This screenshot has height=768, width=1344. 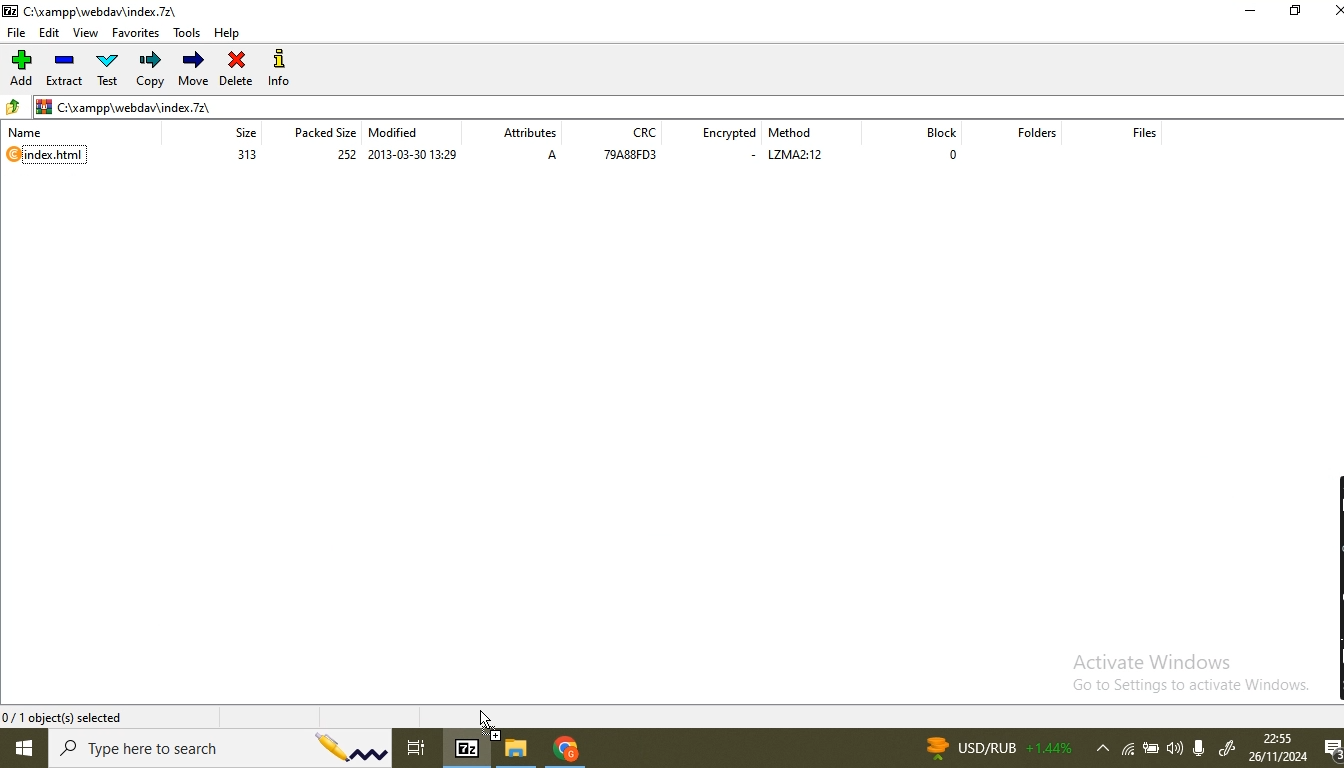 I want to click on 313, so click(x=244, y=154).